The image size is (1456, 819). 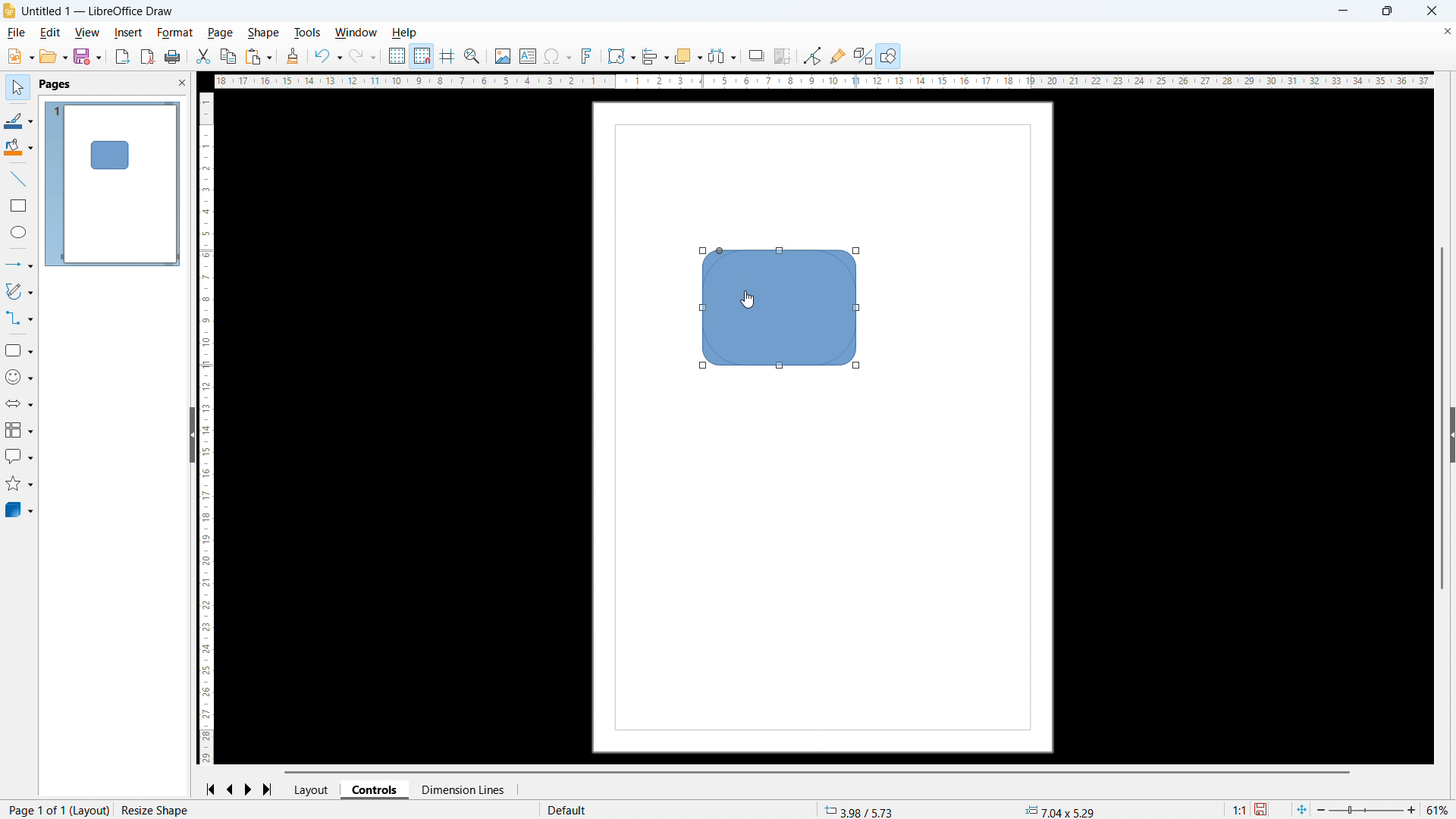 I want to click on save , so click(x=1263, y=809).